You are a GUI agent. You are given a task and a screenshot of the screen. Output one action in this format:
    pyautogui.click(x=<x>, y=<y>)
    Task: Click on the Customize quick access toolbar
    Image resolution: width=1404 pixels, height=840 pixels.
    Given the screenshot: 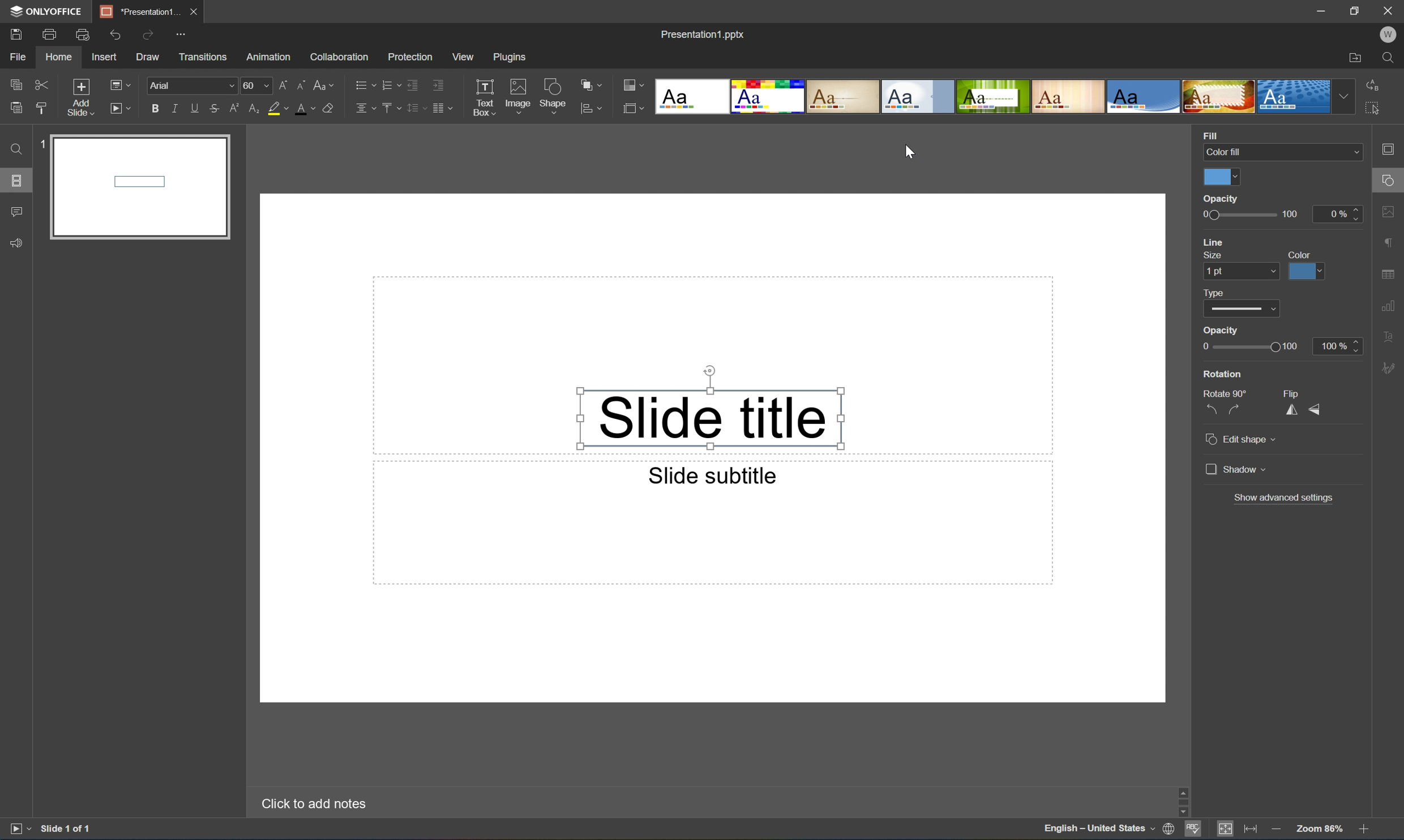 What is the action you would take?
    pyautogui.click(x=178, y=33)
    